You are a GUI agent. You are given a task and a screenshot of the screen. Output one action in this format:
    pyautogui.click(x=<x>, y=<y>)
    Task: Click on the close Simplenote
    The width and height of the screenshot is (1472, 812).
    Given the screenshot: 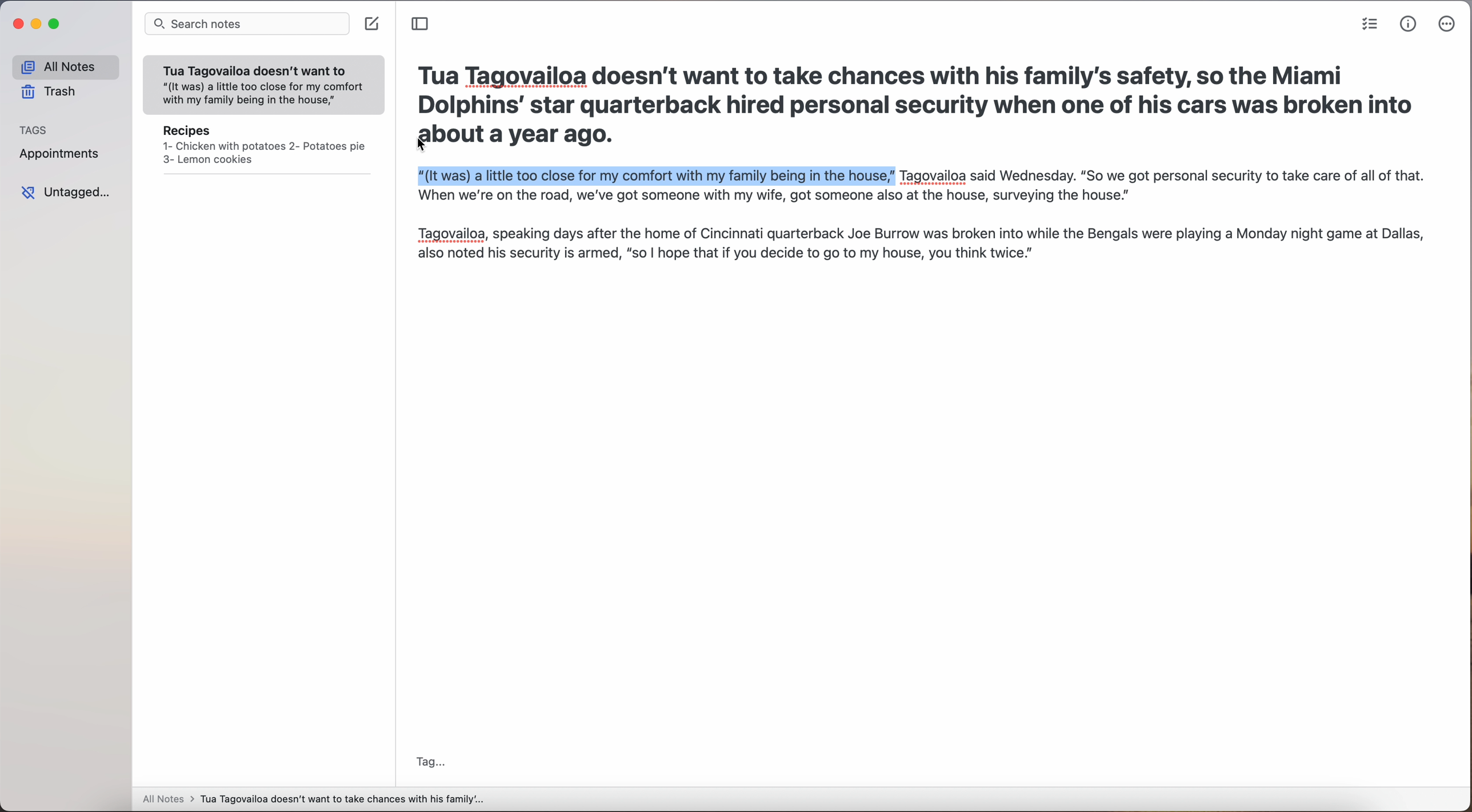 What is the action you would take?
    pyautogui.click(x=17, y=24)
    